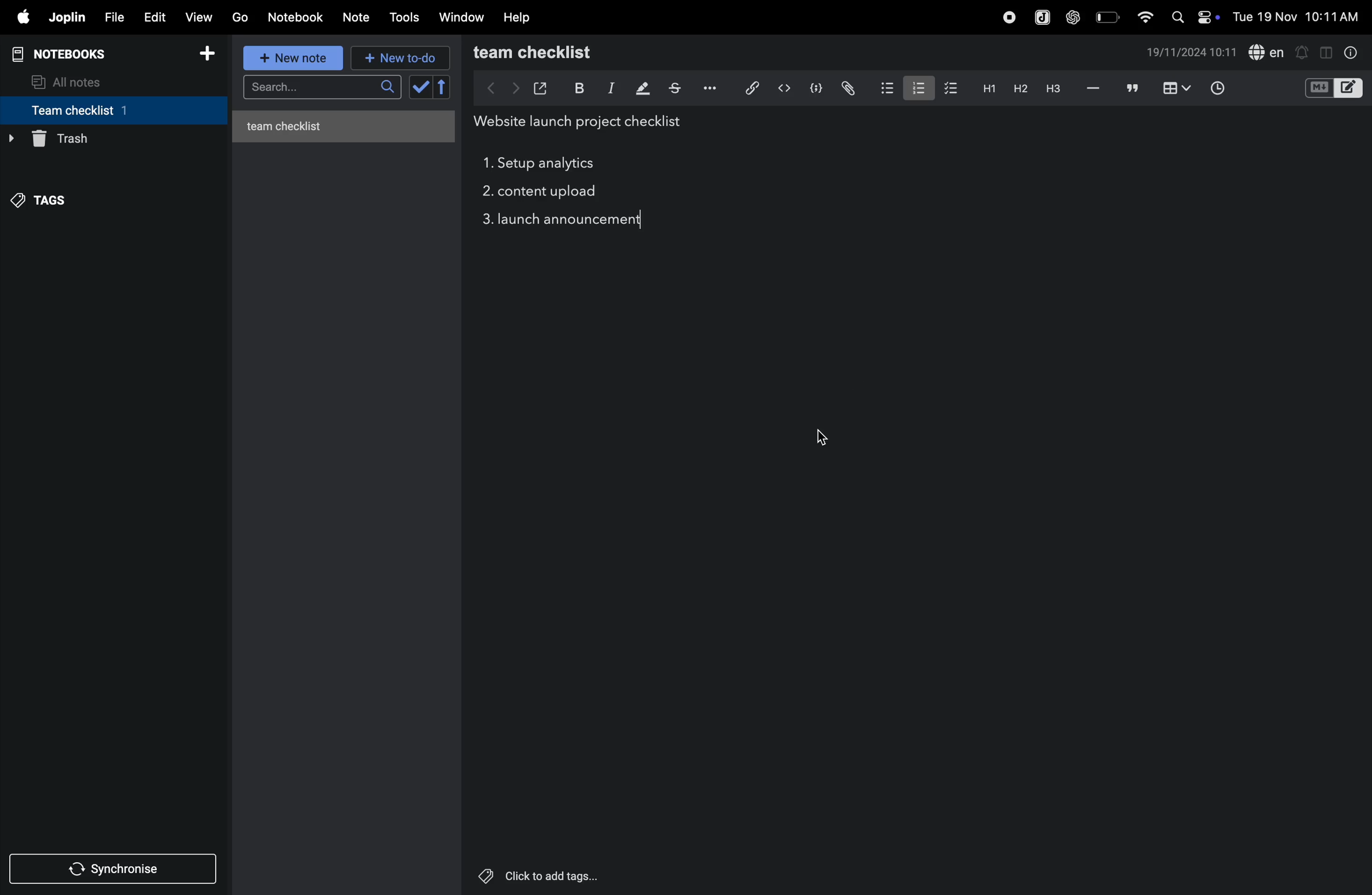 The height and width of the screenshot is (895, 1372). Describe the element at coordinates (609, 88) in the screenshot. I see `itallic` at that location.